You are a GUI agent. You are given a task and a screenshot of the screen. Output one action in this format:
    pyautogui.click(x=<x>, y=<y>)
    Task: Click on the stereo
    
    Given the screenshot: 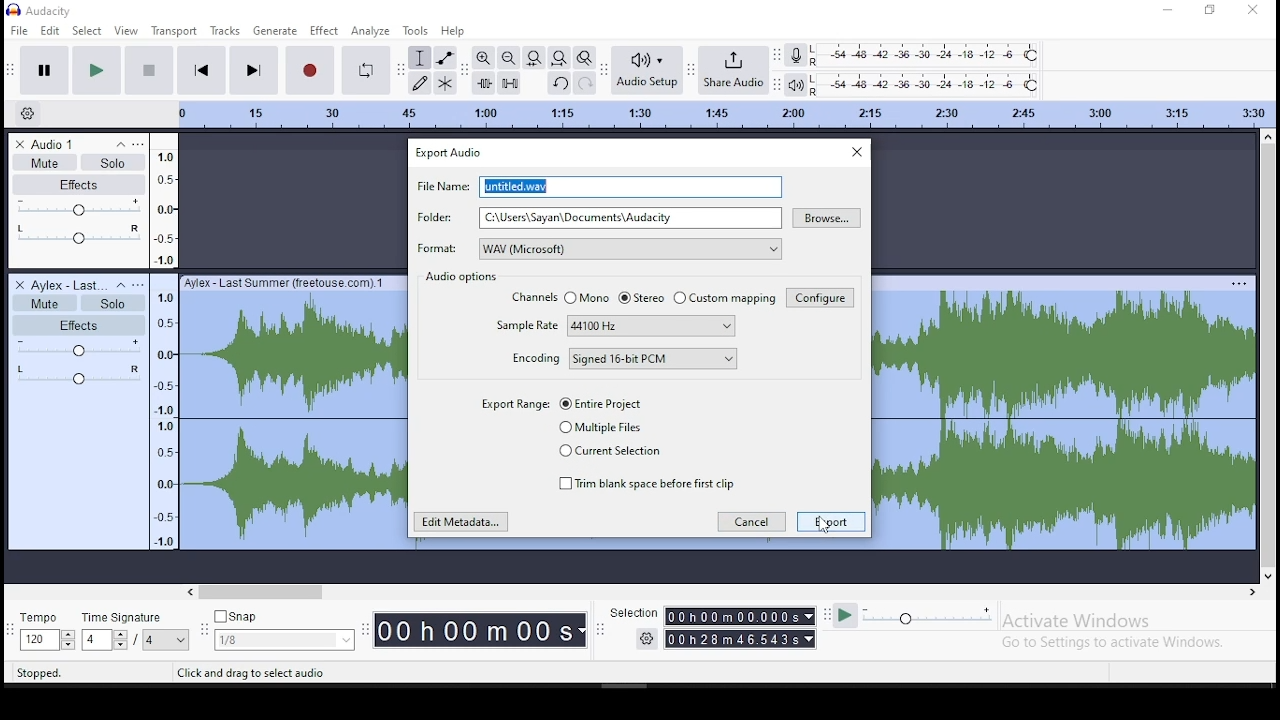 What is the action you would take?
    pyautogui.click(x=642, y=297)
    